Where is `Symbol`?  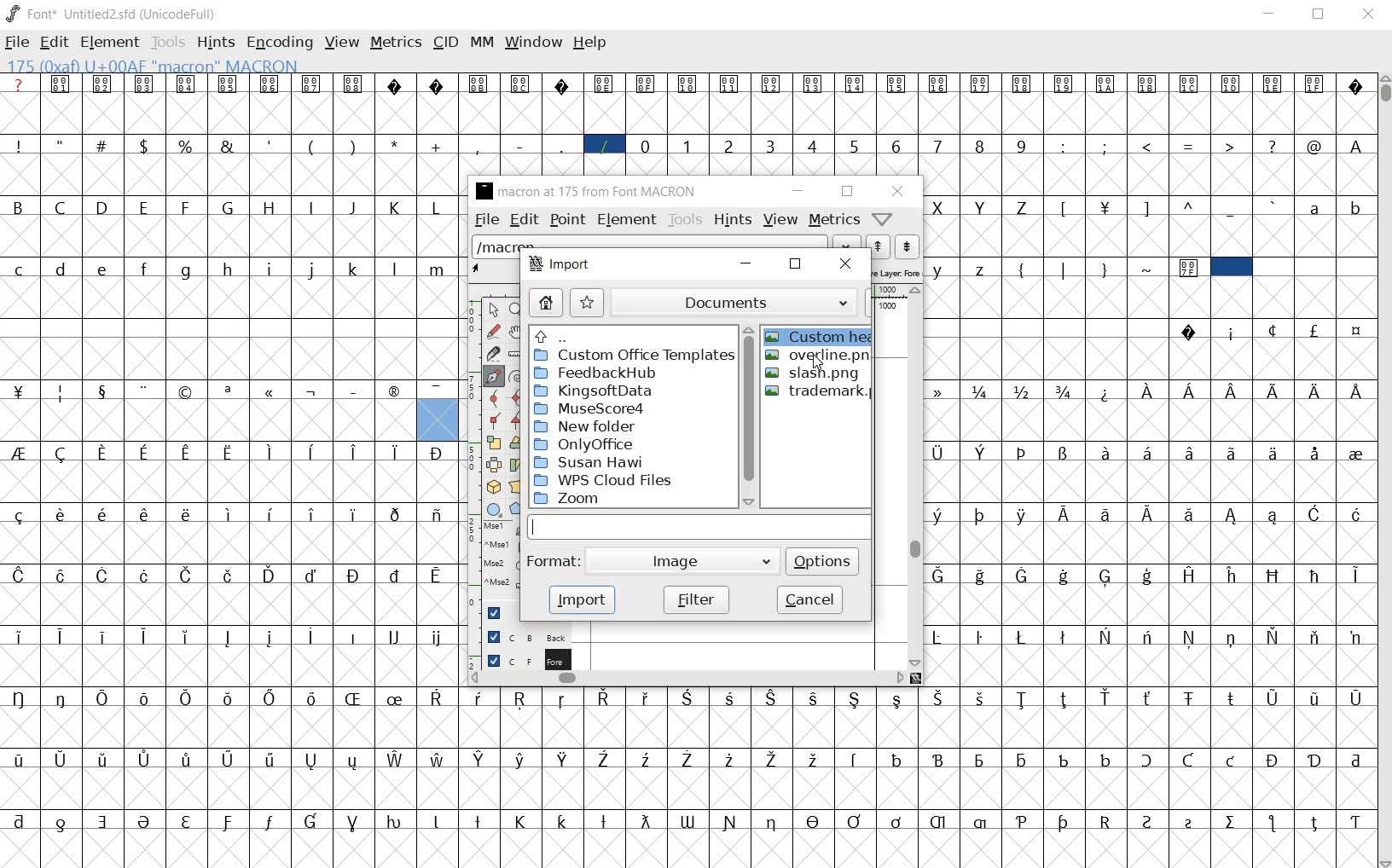 Symbol is located at coordinates (1314, 822).